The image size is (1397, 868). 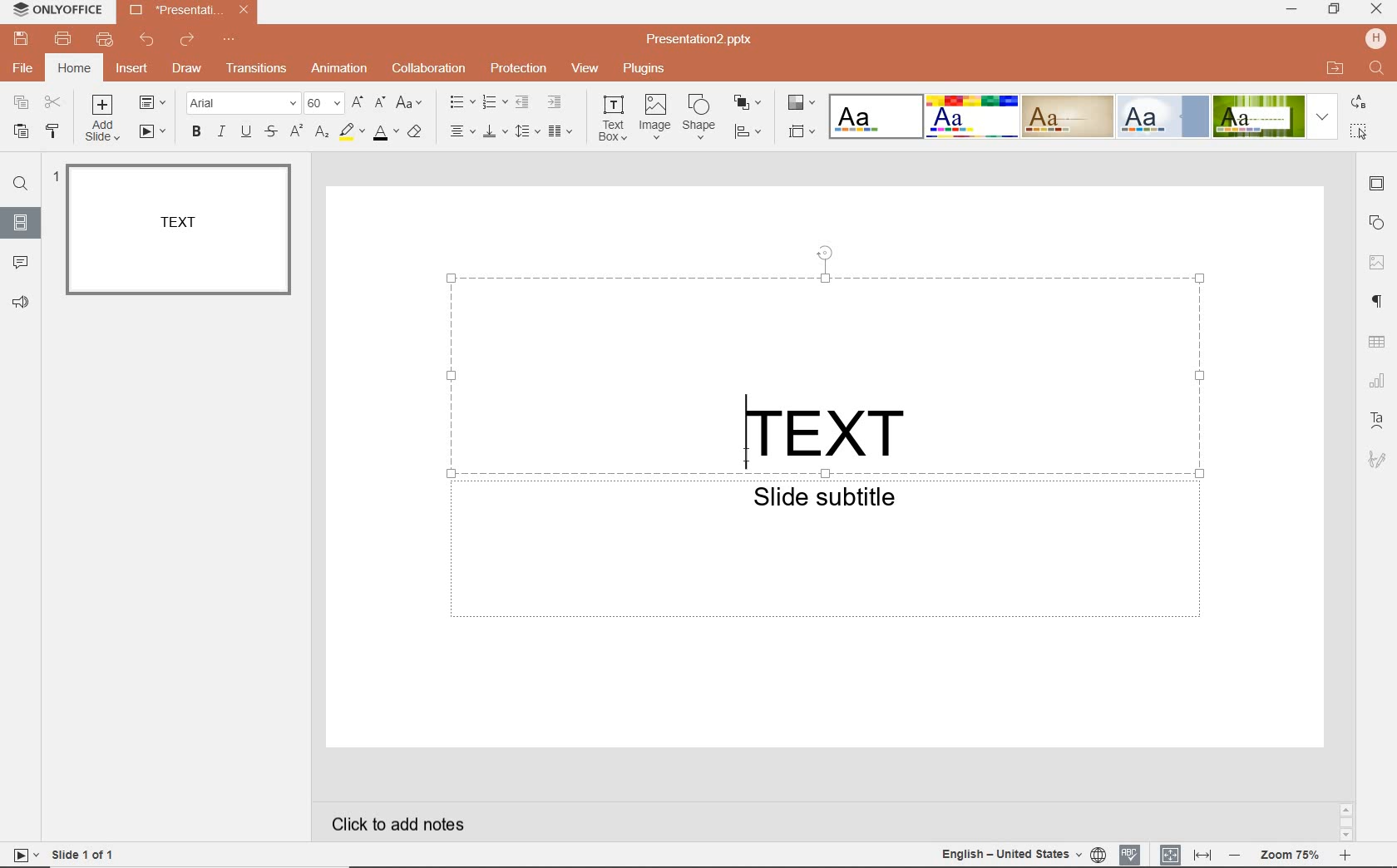 I want to click on SLIDE SETTINGS, so click(x=1379, y=184).